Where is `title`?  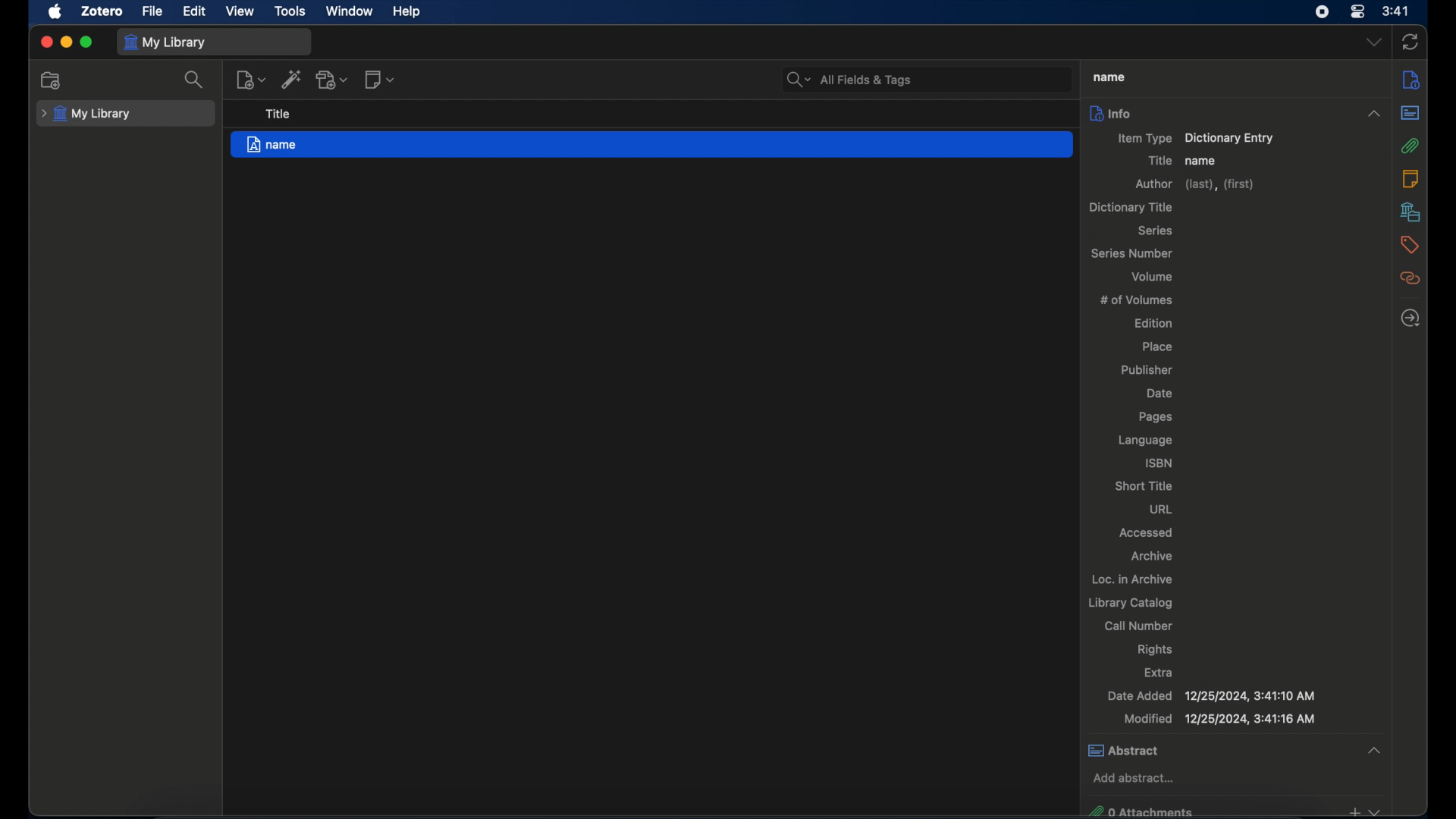 title is located at coordinates (279, 115).